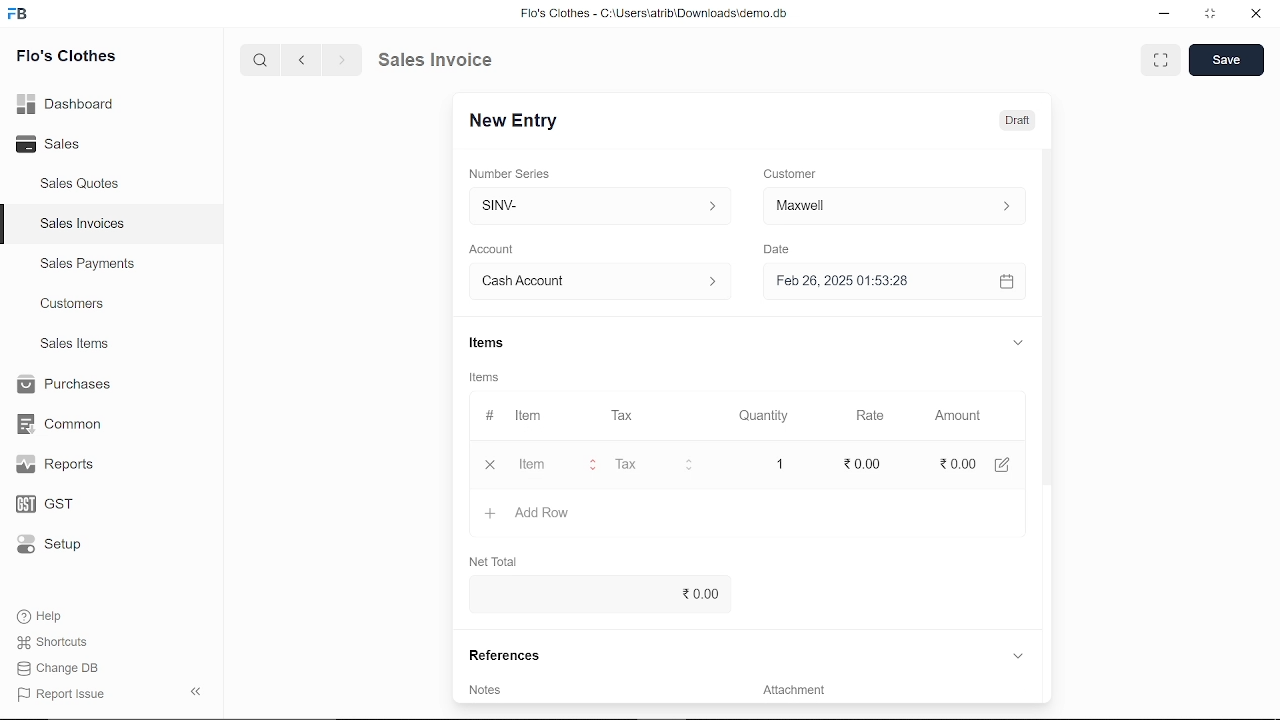  I want to click on hide, so click(197, 689).